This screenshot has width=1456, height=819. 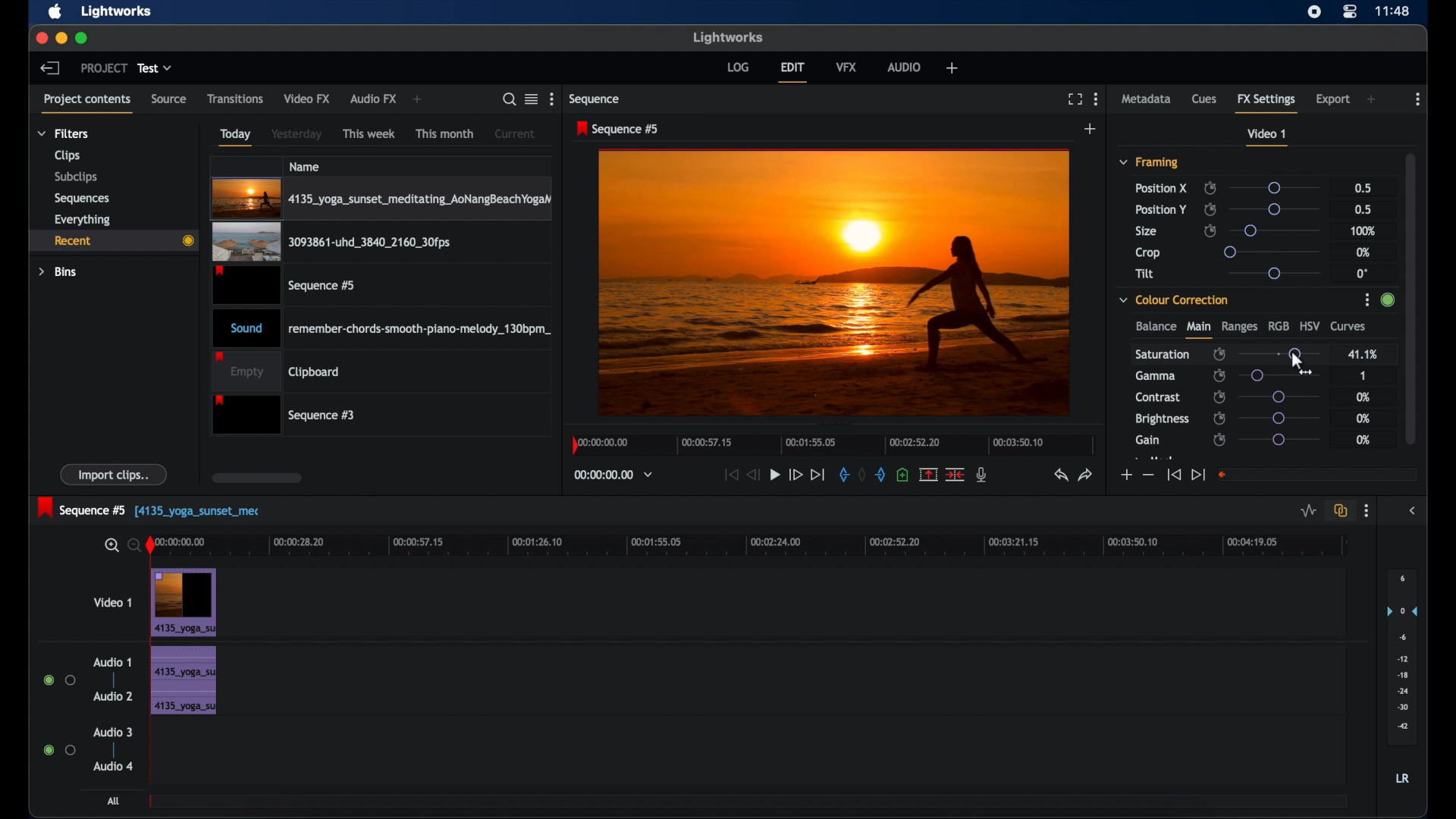 I want to click on back, so click(x=50, y=67).